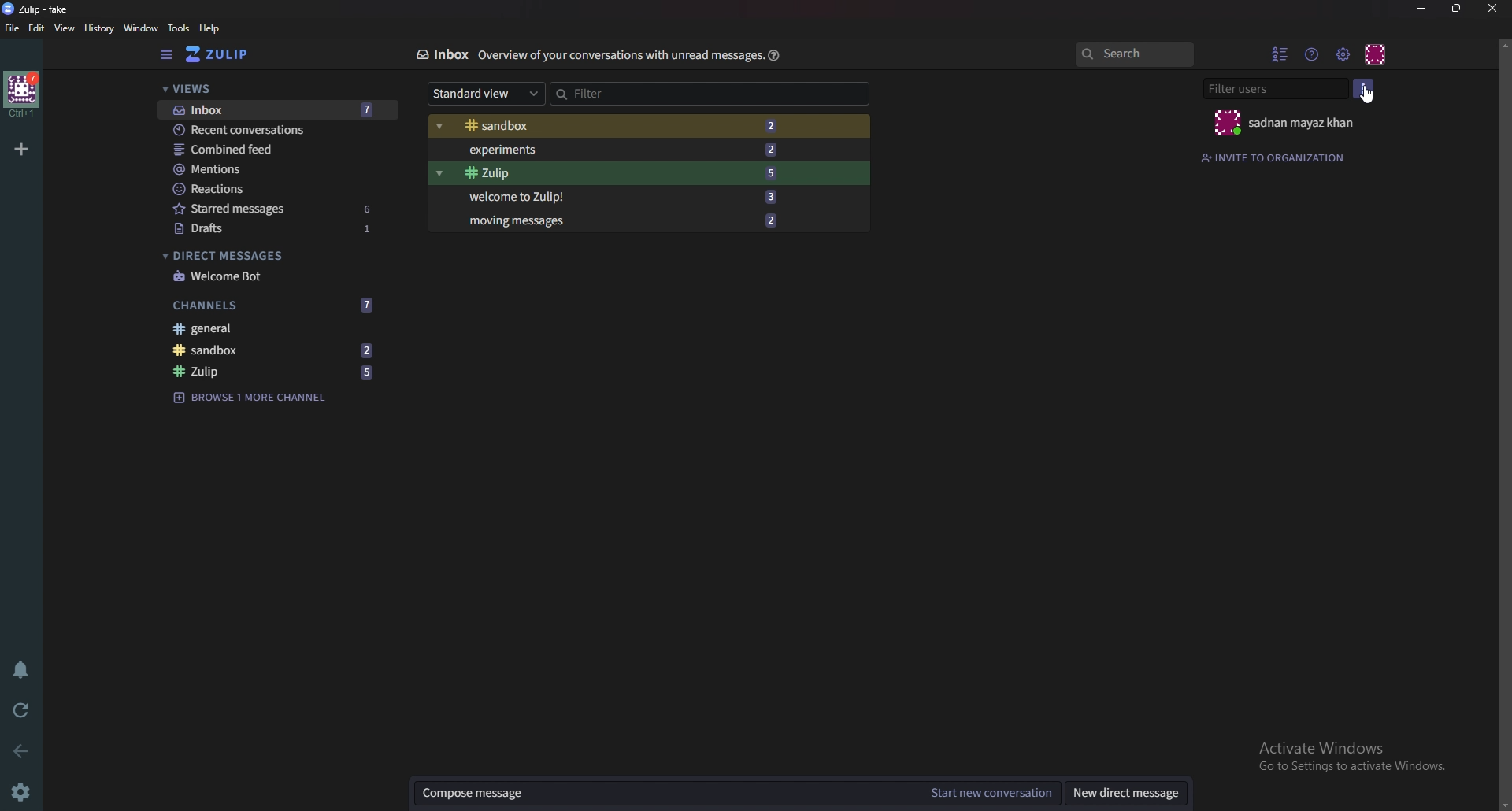  Describe the element at coordinates (1490, 8) in the screenshot. I see `close` at that location.